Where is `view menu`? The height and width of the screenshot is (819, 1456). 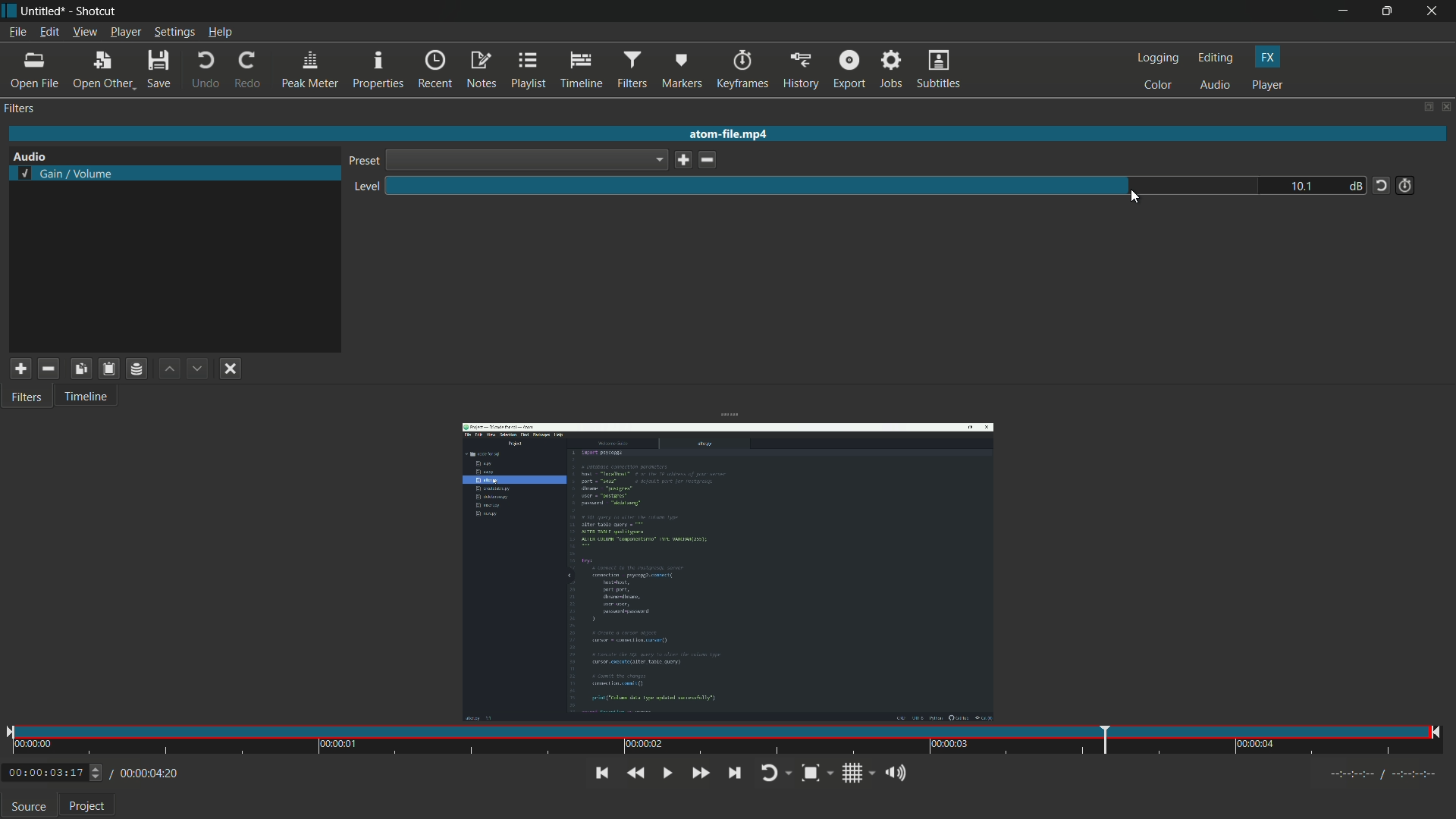 view menu is located at coordinates (84, 33).